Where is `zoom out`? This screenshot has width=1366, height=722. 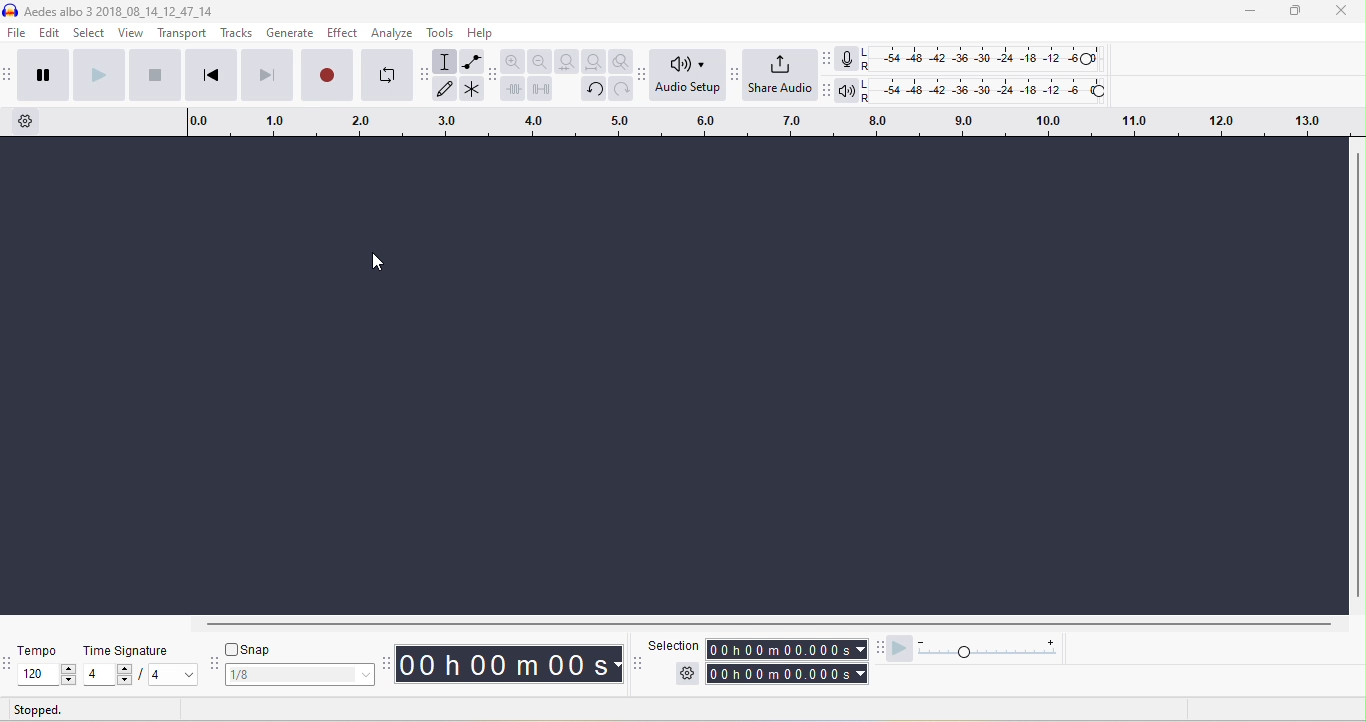
zoom out is located at coordinates (540, 61).